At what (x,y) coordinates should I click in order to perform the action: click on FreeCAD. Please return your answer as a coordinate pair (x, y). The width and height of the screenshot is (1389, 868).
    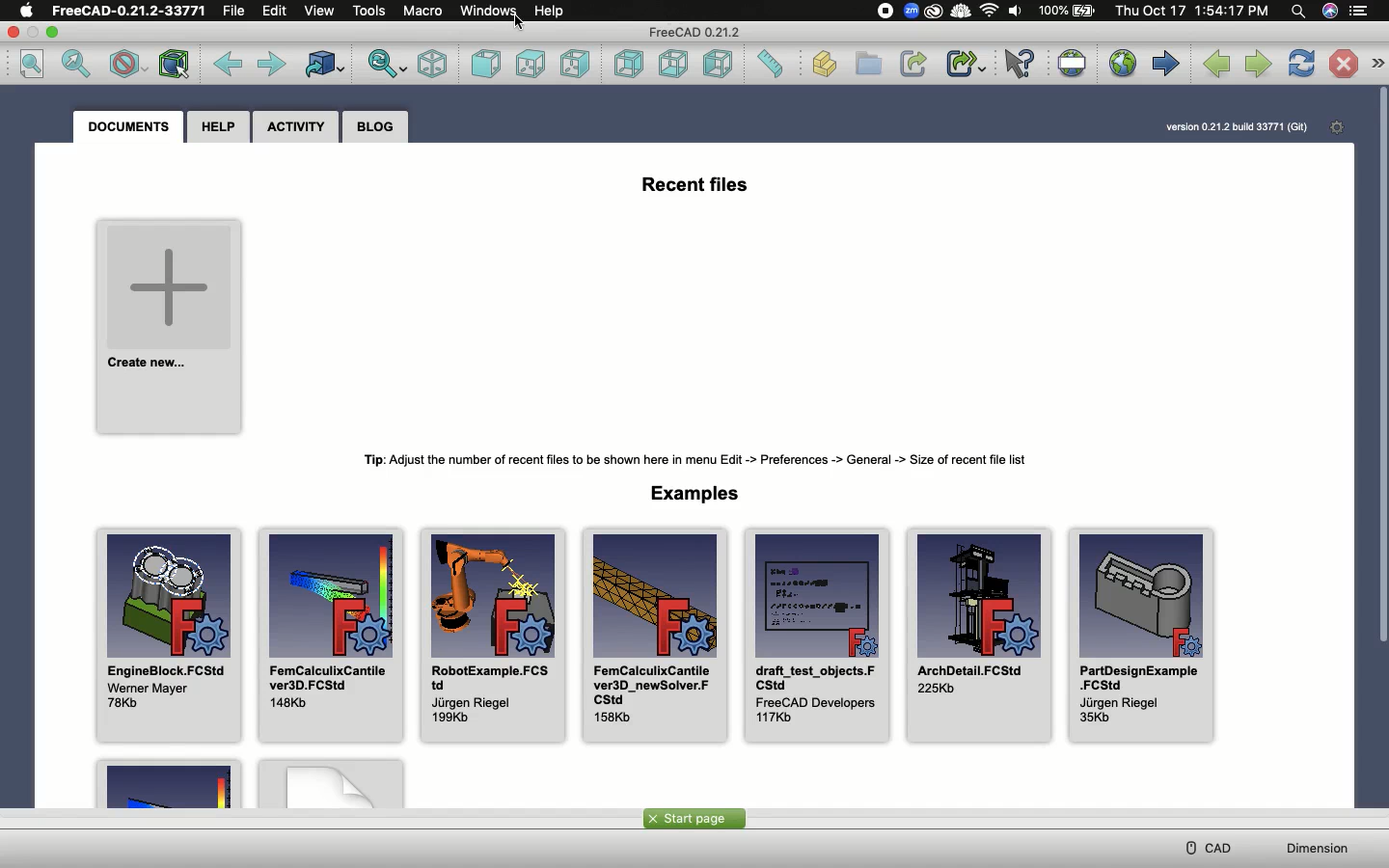
    Looking at the image, I should click on (129, 10).